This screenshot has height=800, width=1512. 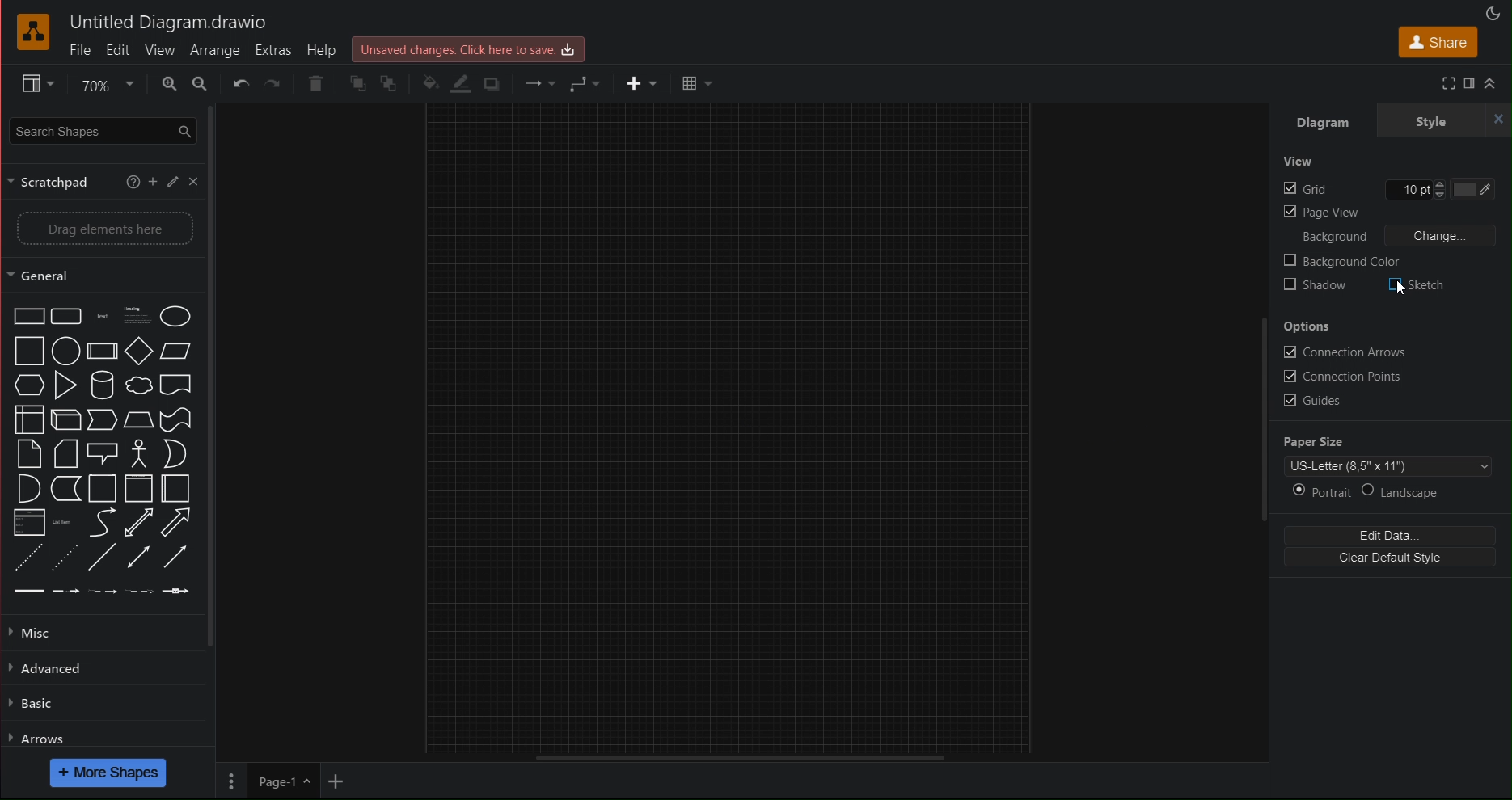 I want to click on Misc, so click(x=97, y=631).